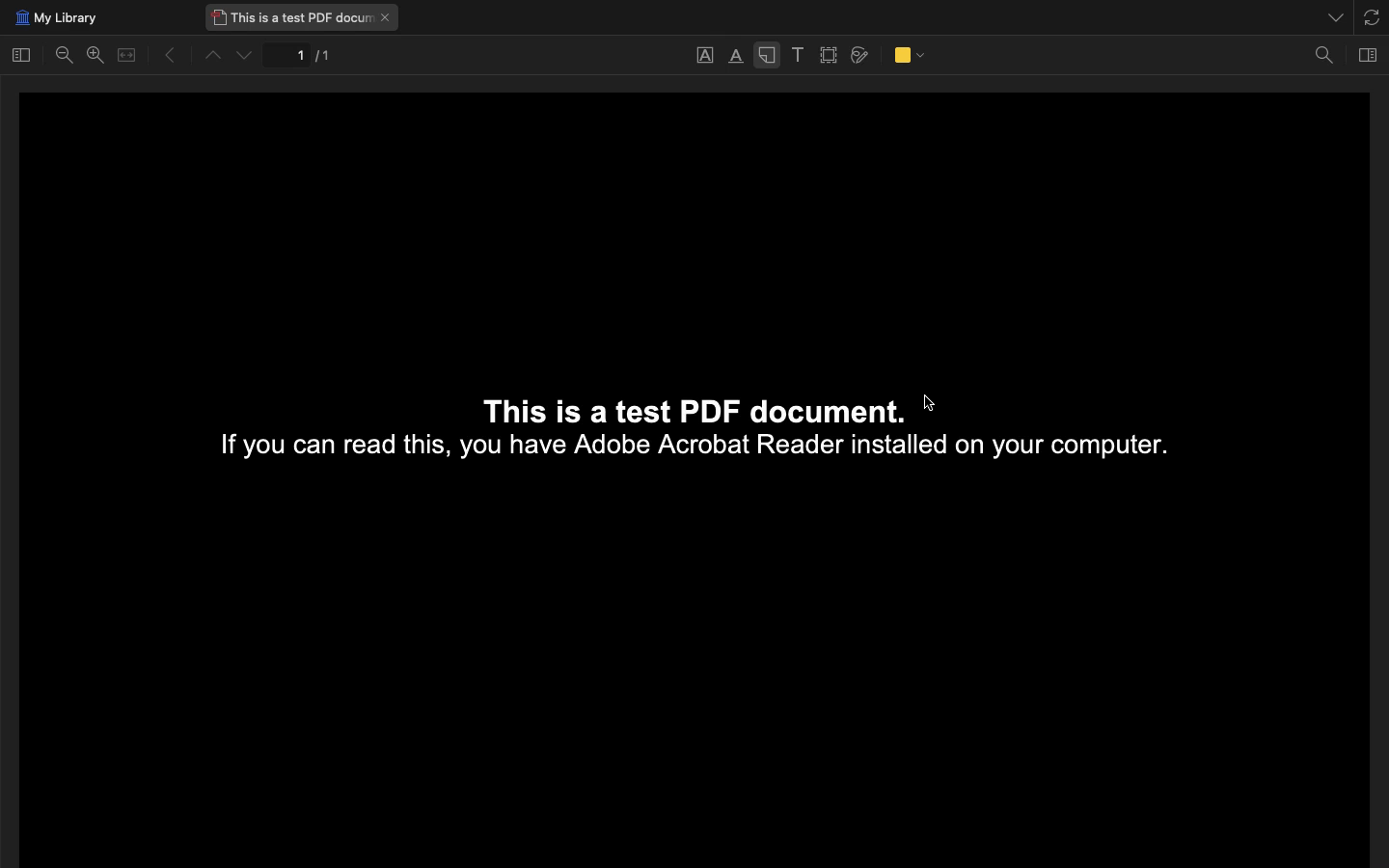  Describe the element at coordinates (95, 55) in the screenshot. I see `Zoom in` at that location.